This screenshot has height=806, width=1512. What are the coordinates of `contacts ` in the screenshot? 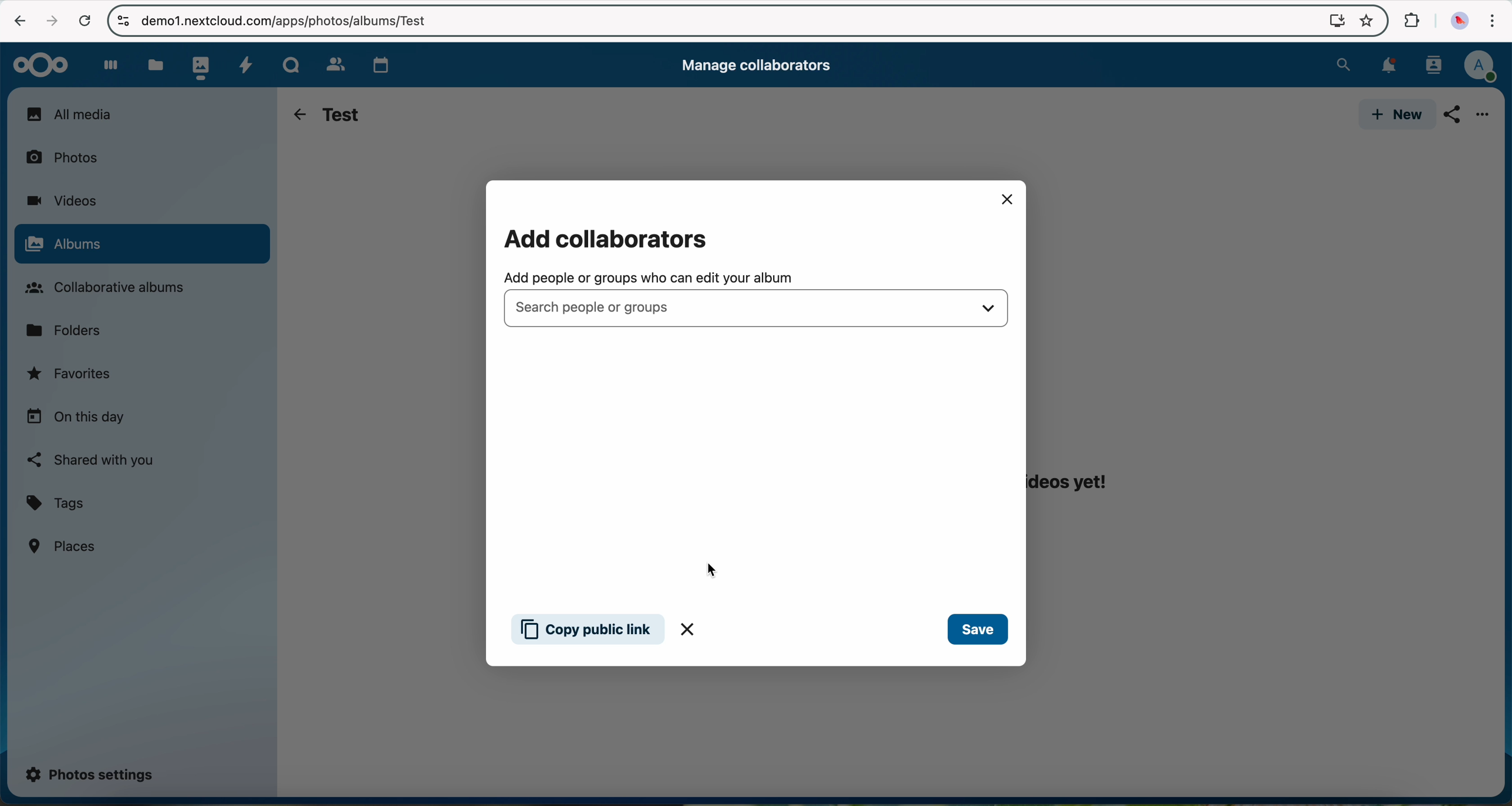 It's located at (331, 62).